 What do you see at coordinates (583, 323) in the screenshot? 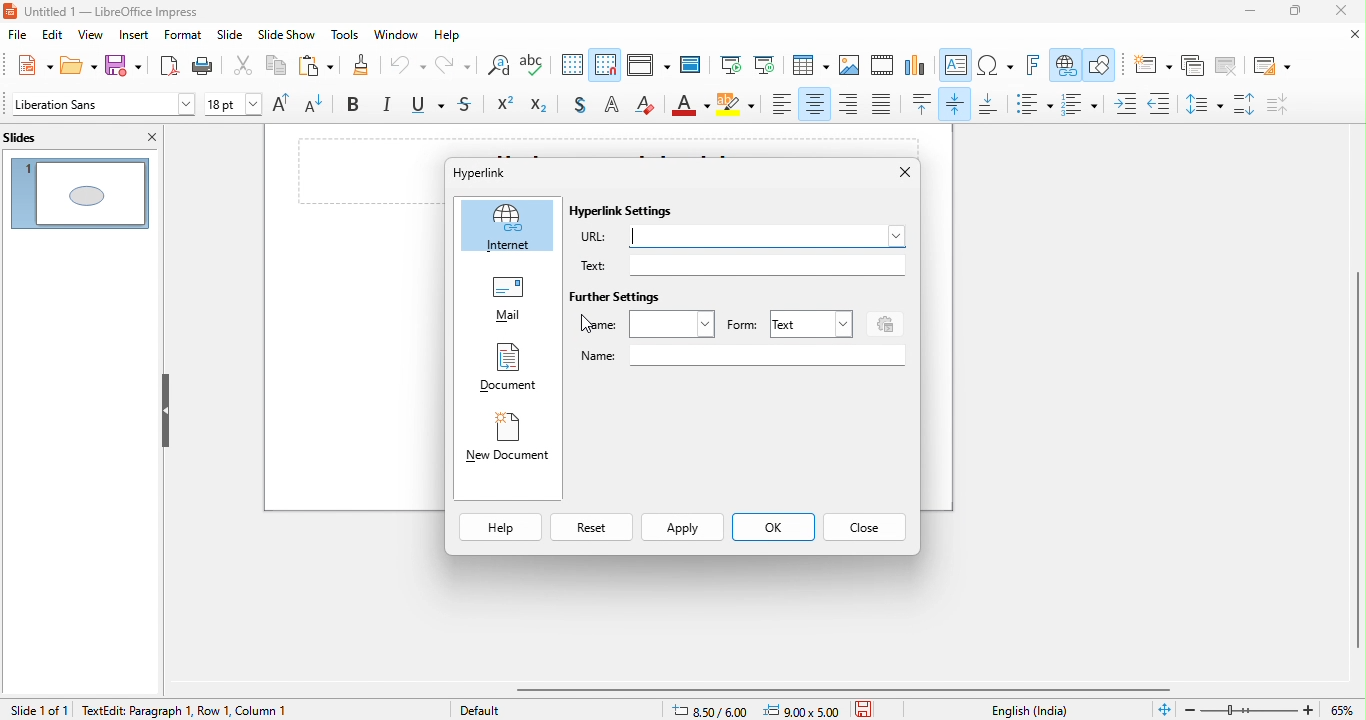
I see `cursor movement` at bounding box center [583, 323].